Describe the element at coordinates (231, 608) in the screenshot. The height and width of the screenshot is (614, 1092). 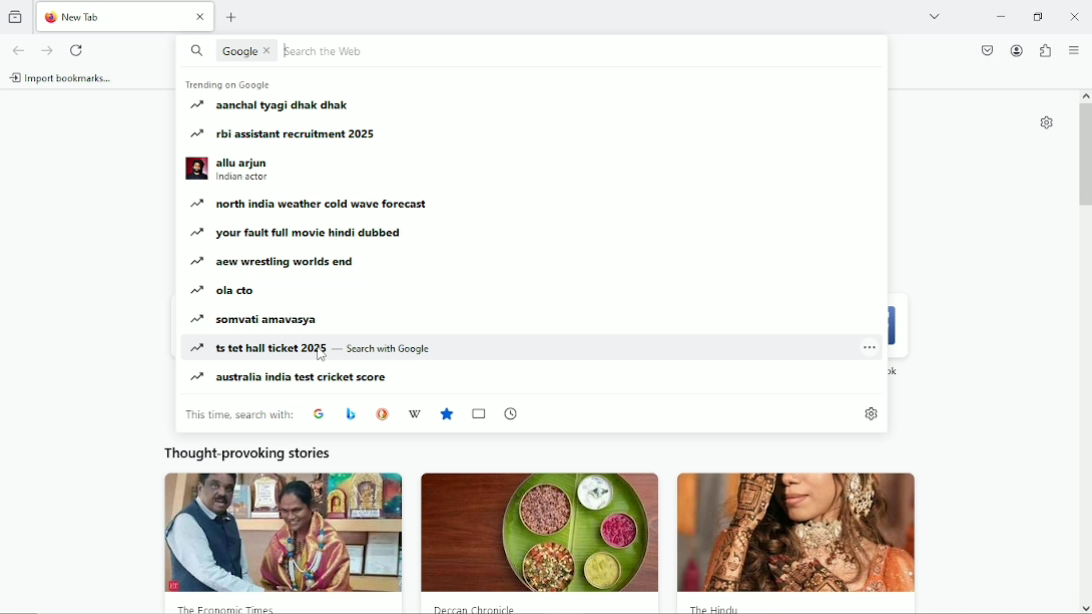
I see `the economic times` at that location.